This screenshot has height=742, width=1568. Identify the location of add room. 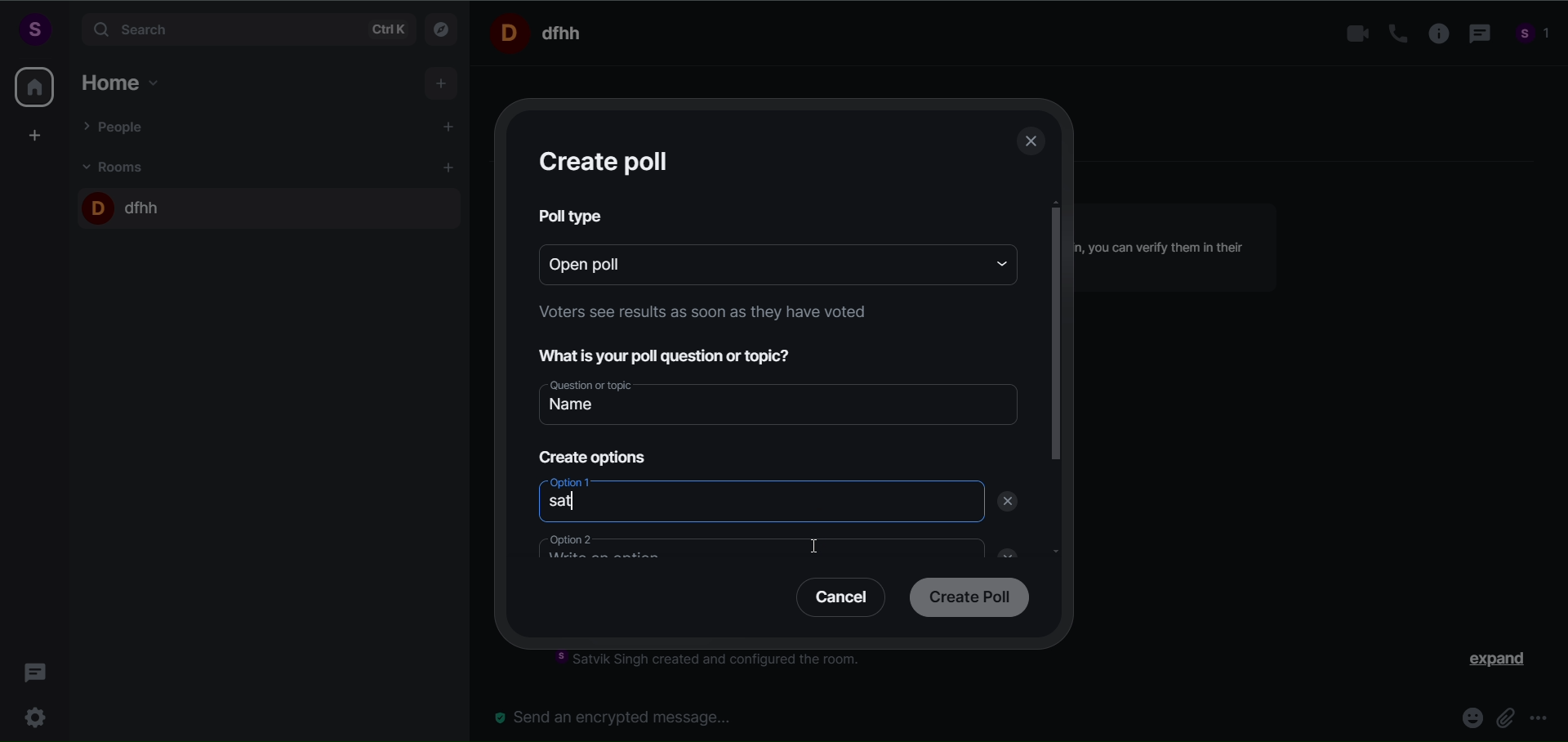
(451, 168).